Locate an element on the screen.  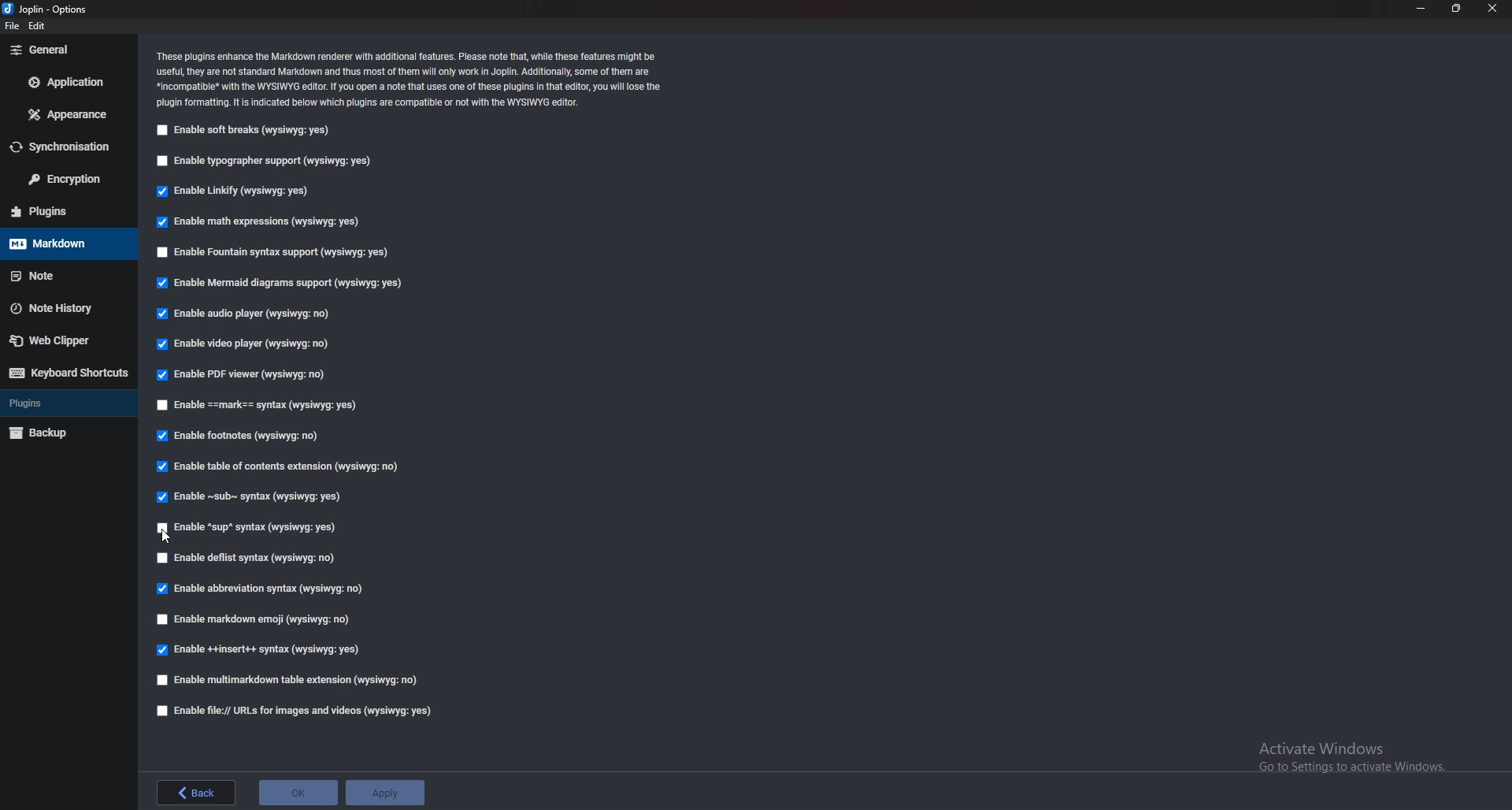
Enable typographer support is located at coordinates (270, 162).